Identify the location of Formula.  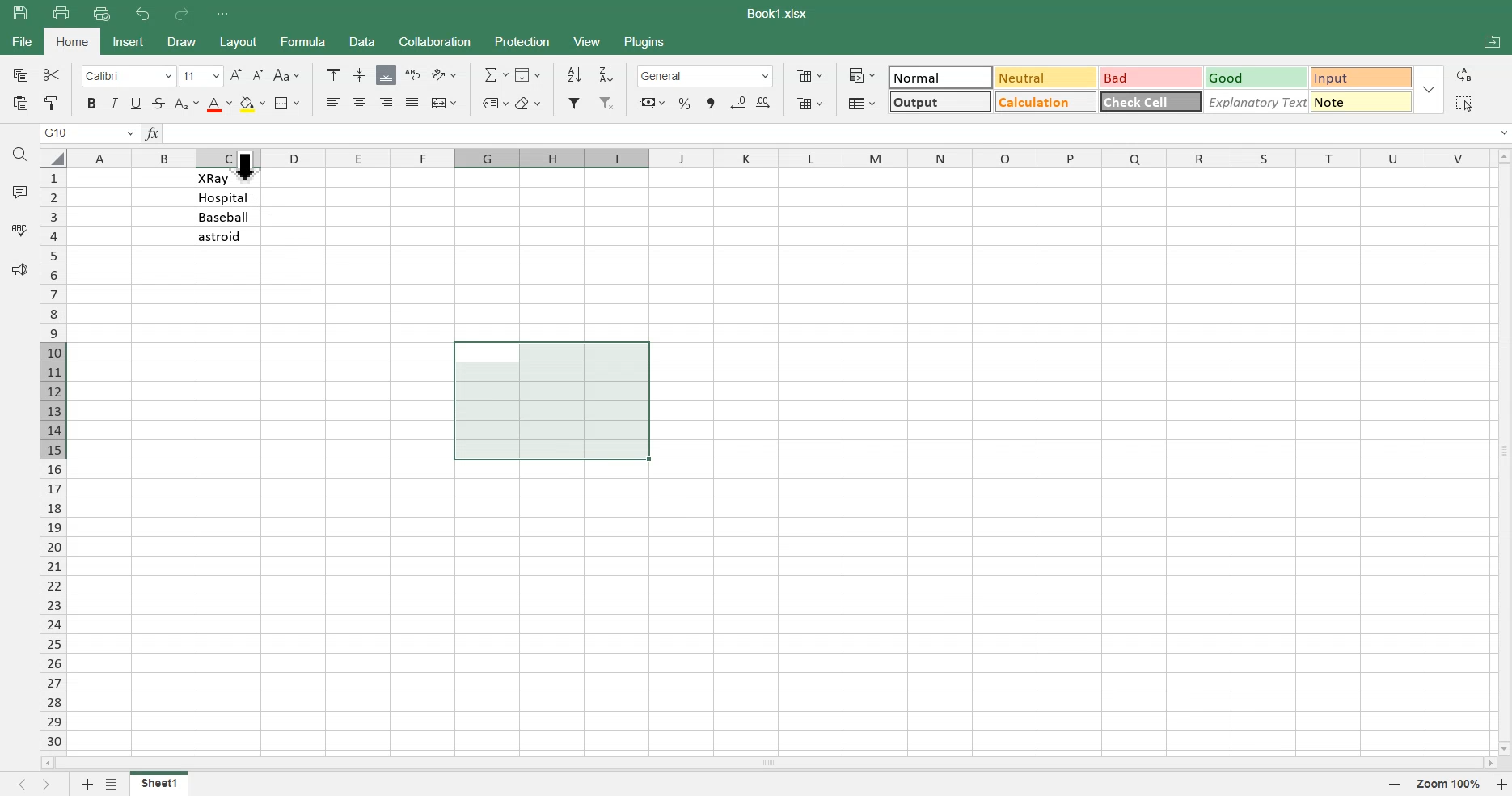
(301, 40).